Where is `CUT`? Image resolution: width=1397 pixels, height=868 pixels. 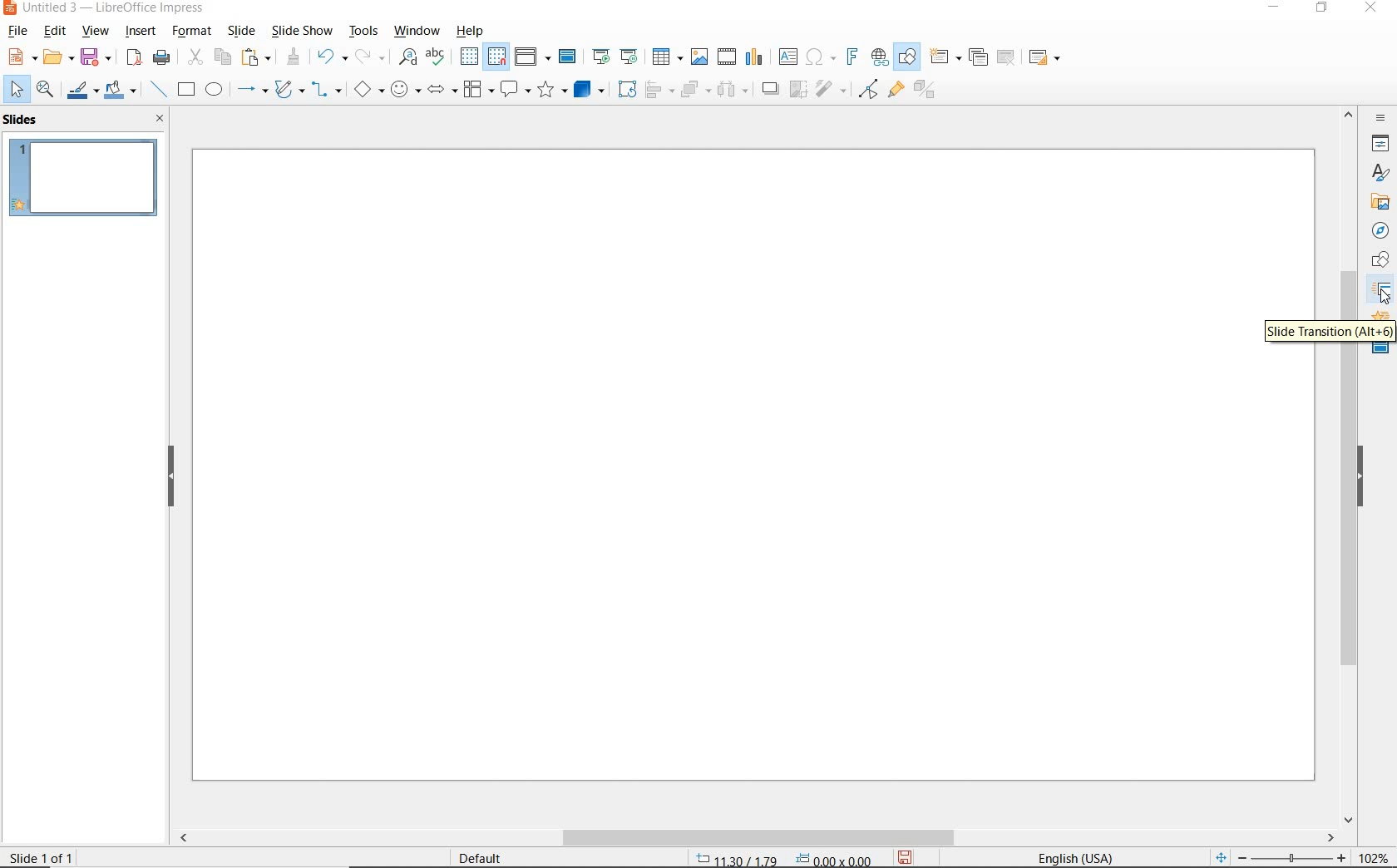 CUT is located at coordinates (195, 56).